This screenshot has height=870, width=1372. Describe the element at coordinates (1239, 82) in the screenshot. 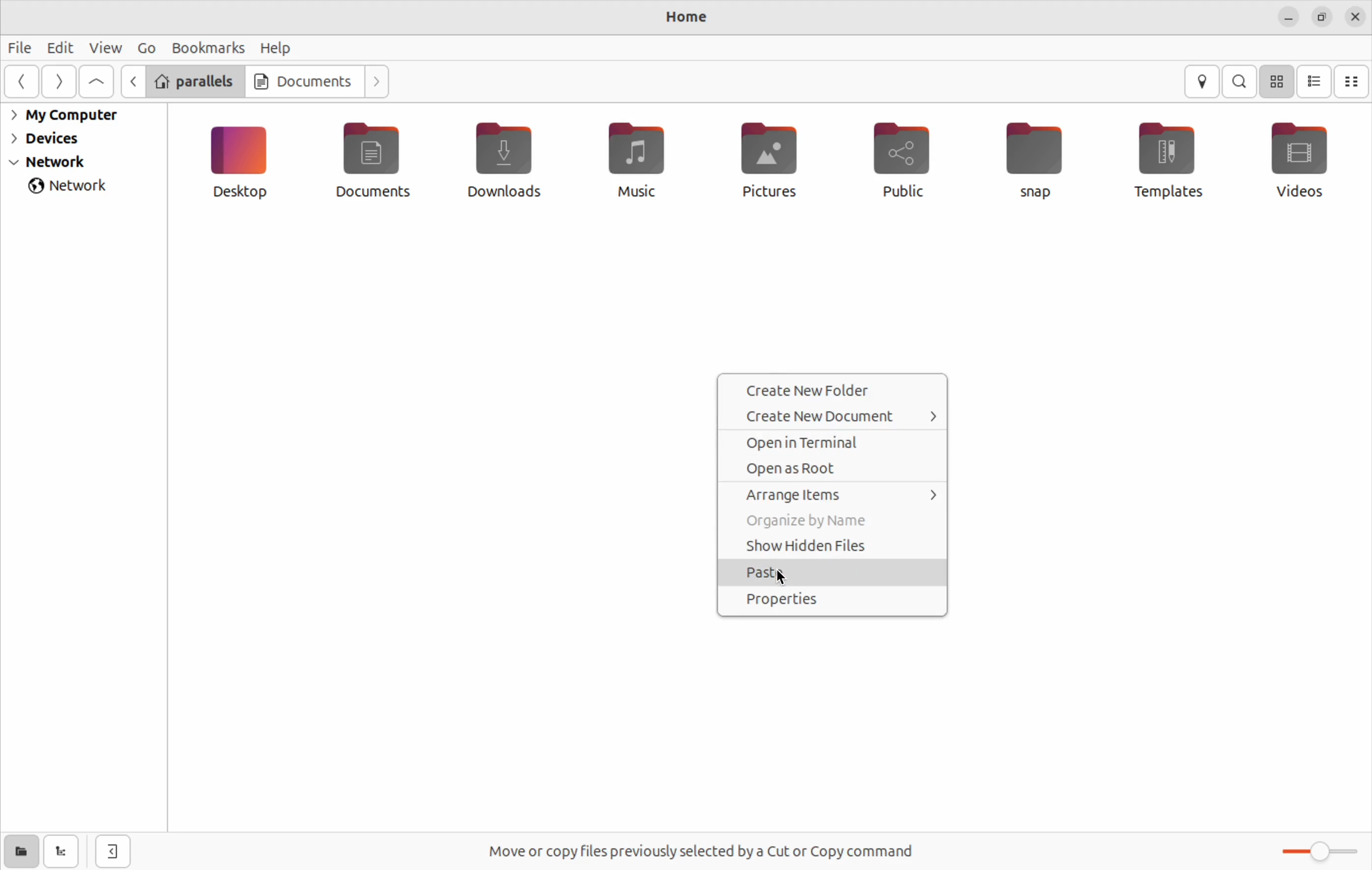

I see `search` at that location.